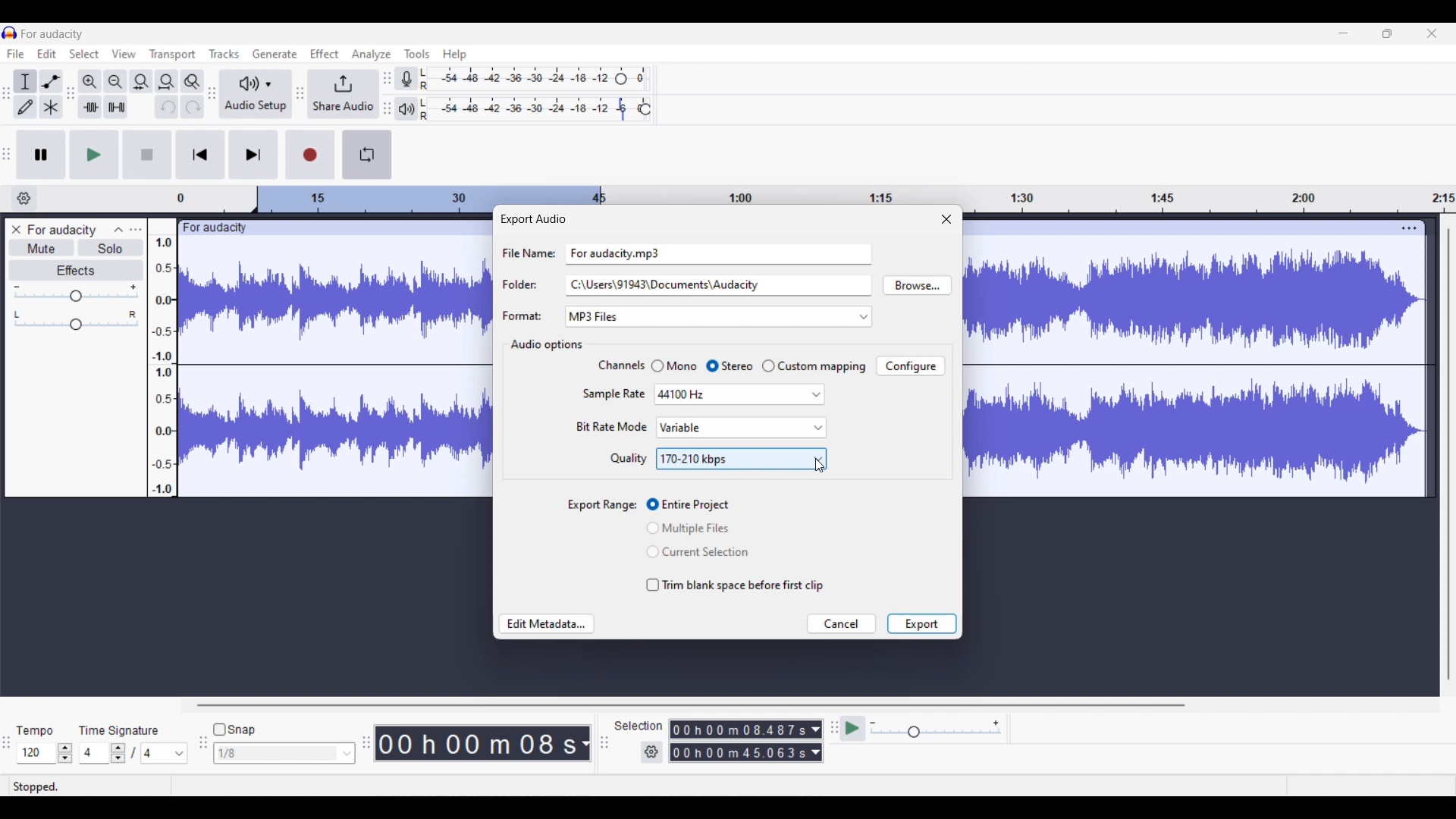 This screenshot has width=1456, height=819. I want to click on Highlighted by cursor, so click(765, 428).